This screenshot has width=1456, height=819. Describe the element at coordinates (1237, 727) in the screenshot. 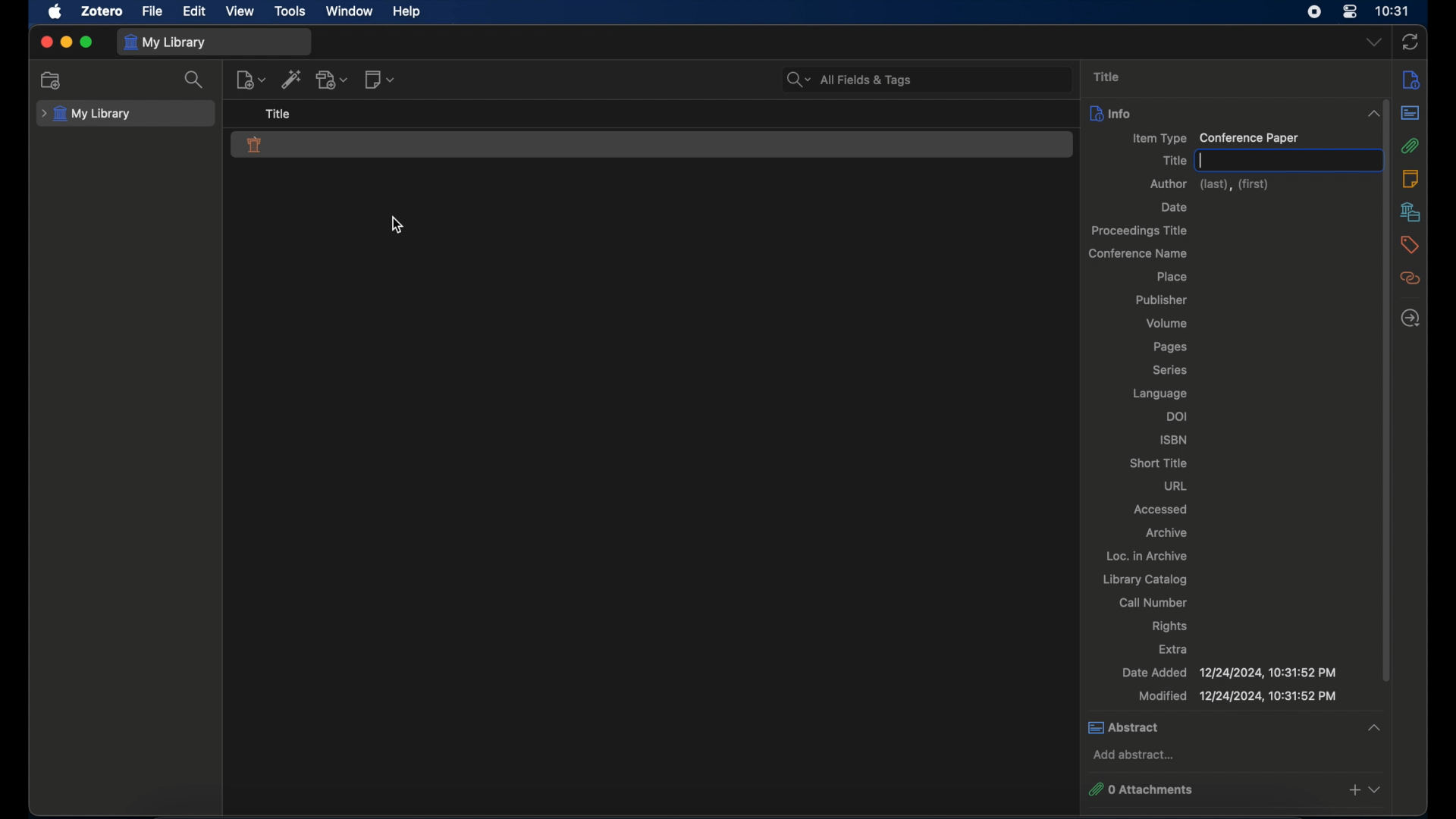

I see `abstract` at that location.